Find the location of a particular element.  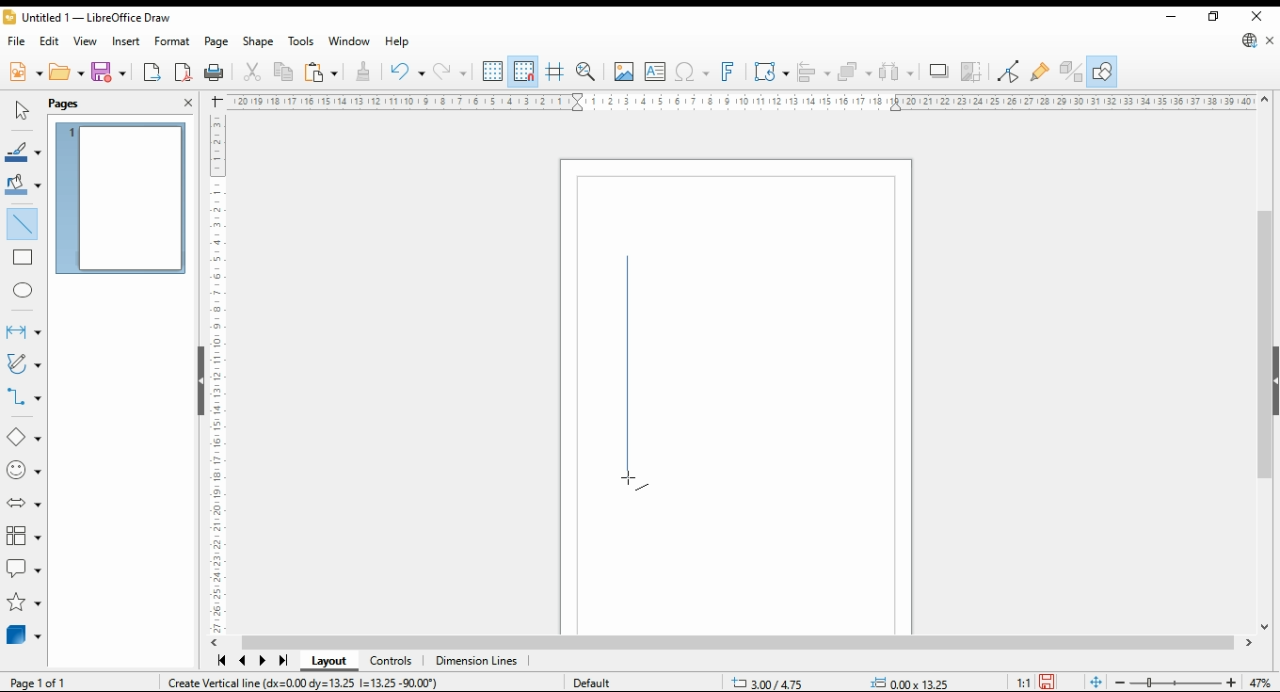

page 1 of 1 is located at coordinates (38, 680).